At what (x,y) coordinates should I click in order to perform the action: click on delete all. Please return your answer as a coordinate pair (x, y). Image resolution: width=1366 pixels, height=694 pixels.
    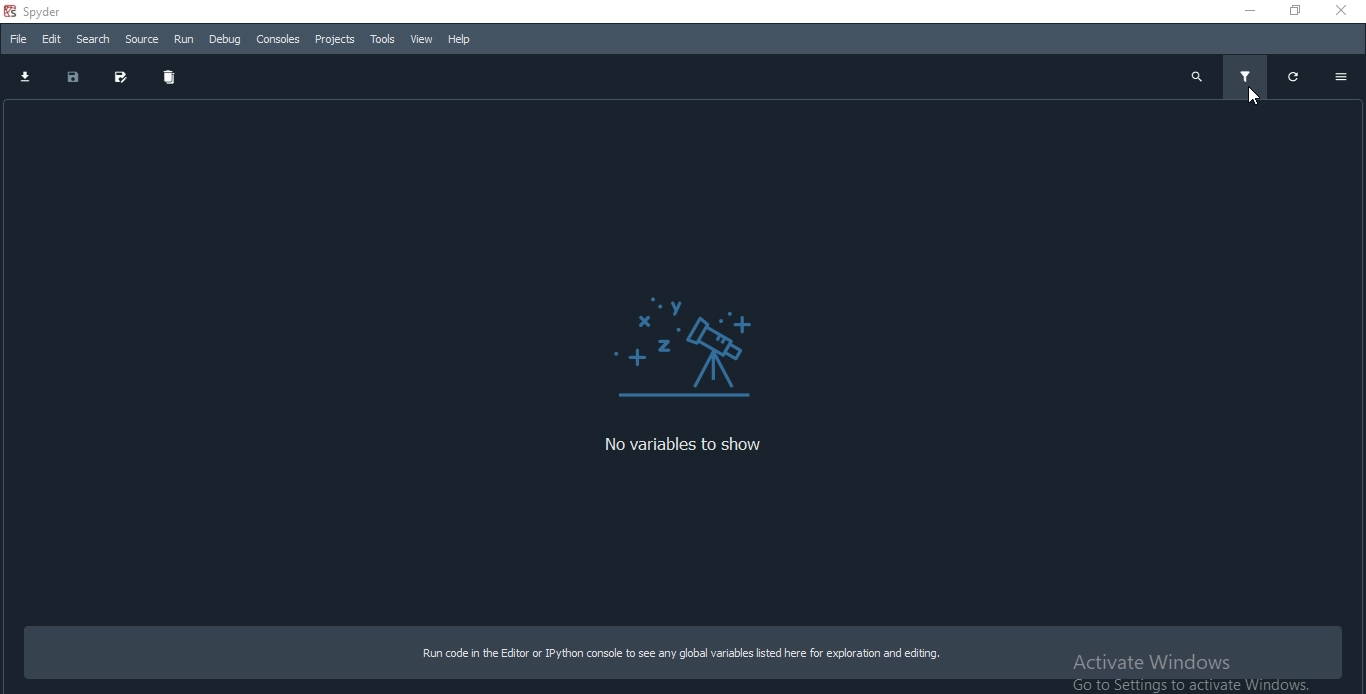
    Looking at the image, I should click on (171, 74).